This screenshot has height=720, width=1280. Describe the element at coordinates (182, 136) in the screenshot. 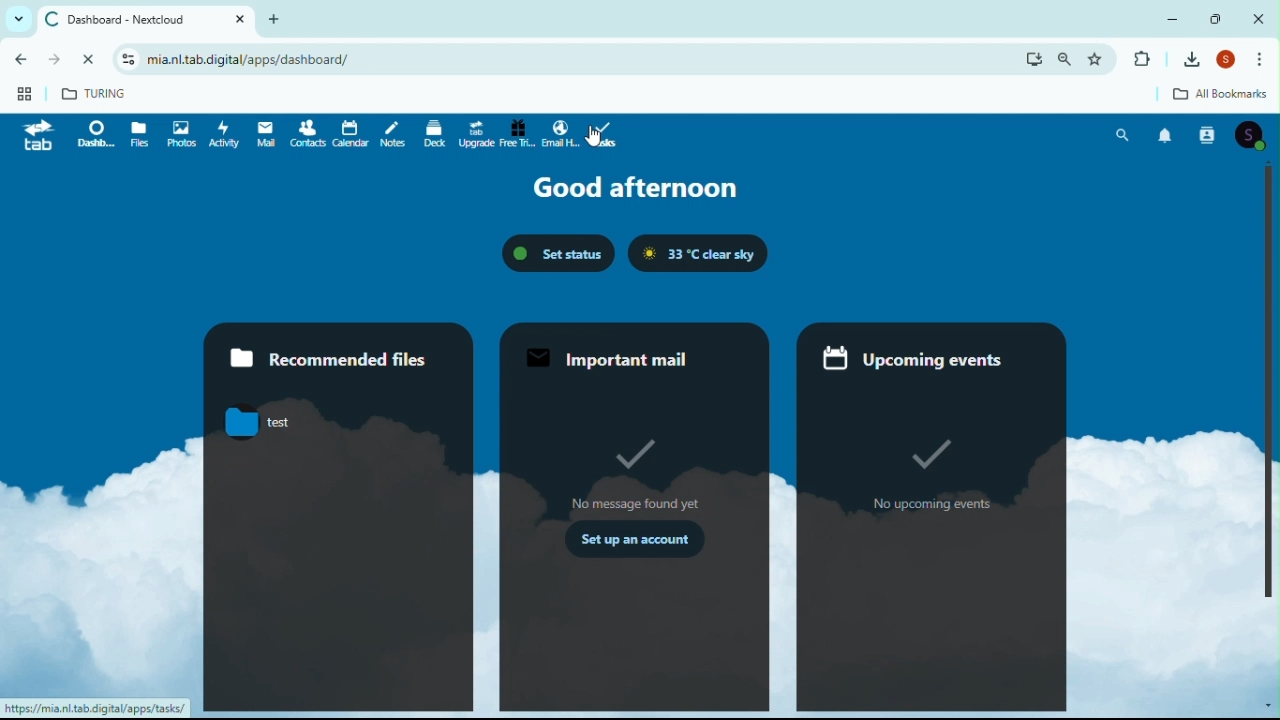

I see `Photos ` at that location.